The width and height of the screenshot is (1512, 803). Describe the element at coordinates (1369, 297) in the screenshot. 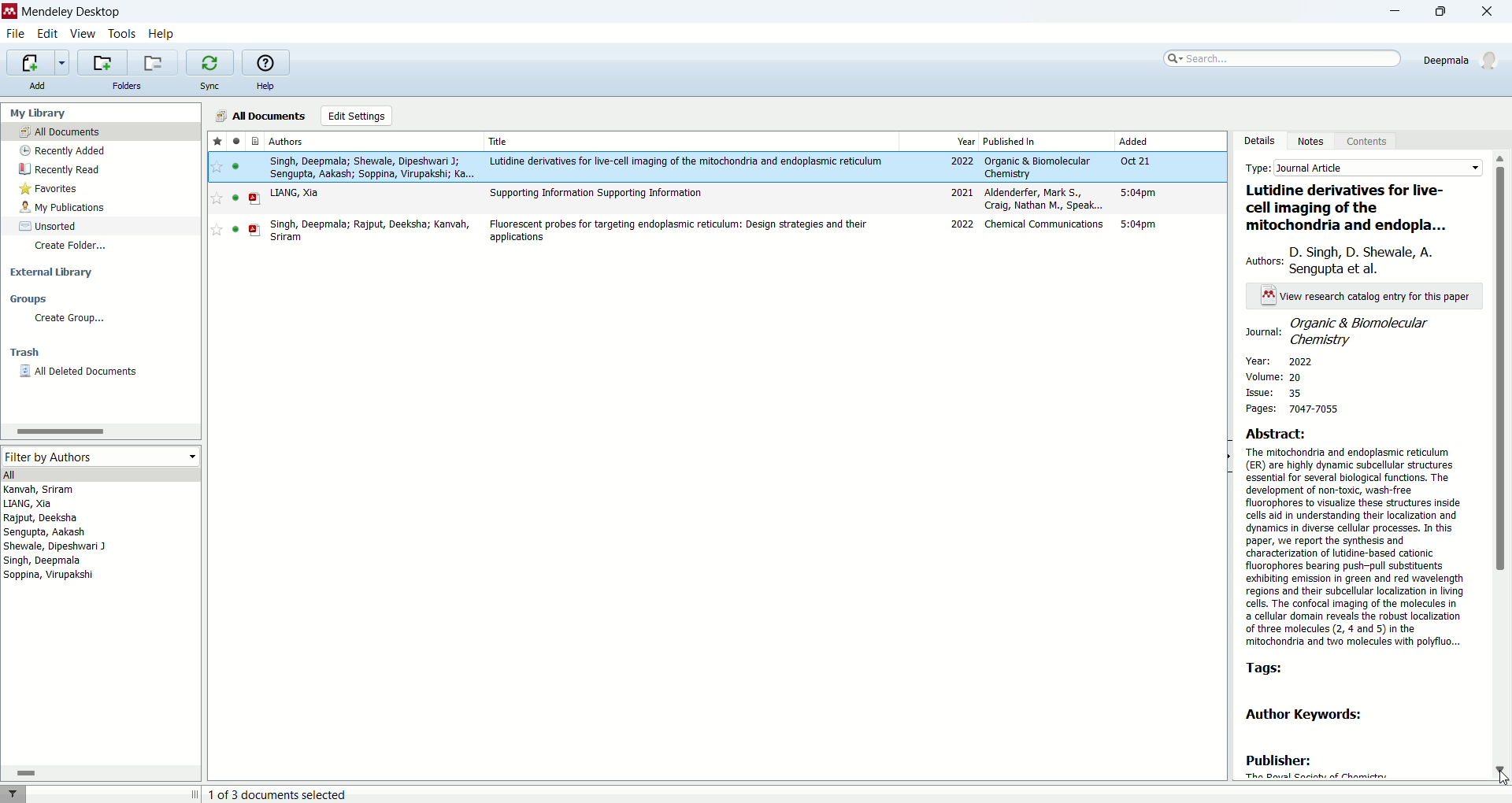

I see `view research catalog entry for this paper` at that location.